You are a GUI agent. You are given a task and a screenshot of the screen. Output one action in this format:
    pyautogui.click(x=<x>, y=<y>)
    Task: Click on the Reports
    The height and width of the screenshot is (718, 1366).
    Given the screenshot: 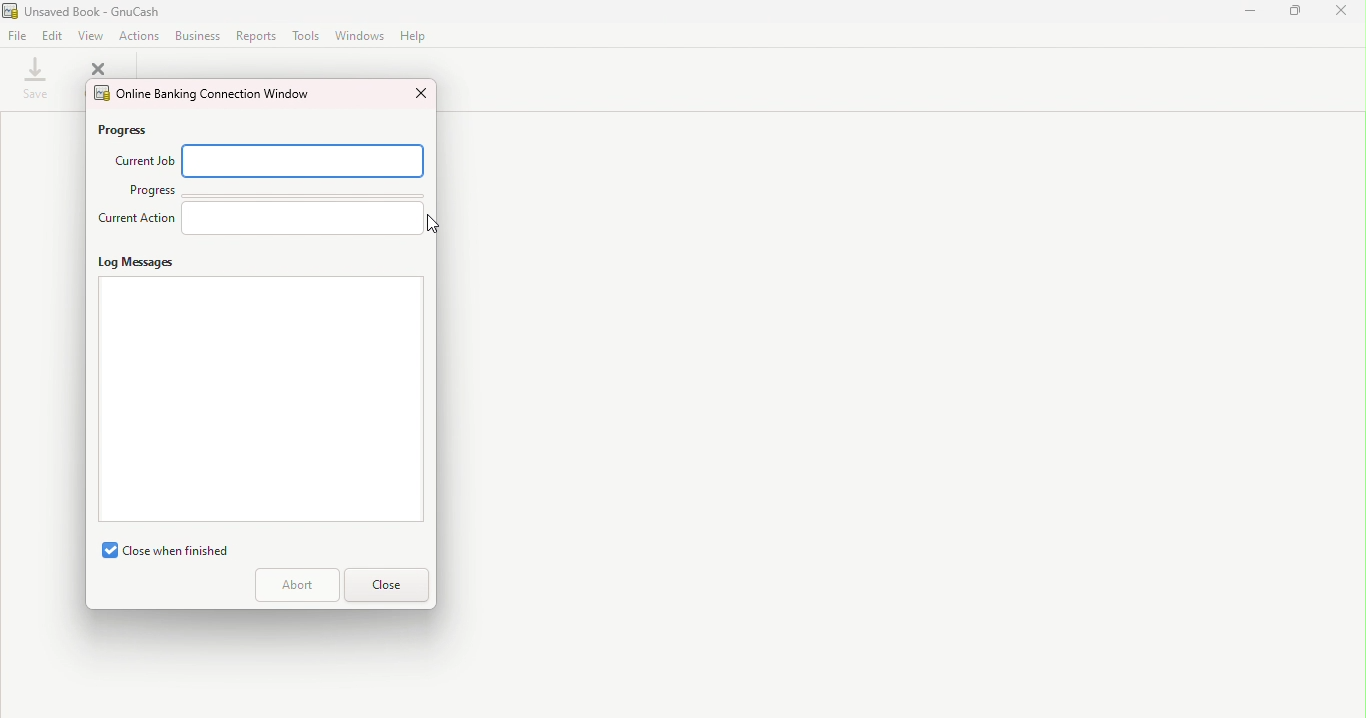 What is the action you would take?
    pyautogui.click(x=254, y=34)
    